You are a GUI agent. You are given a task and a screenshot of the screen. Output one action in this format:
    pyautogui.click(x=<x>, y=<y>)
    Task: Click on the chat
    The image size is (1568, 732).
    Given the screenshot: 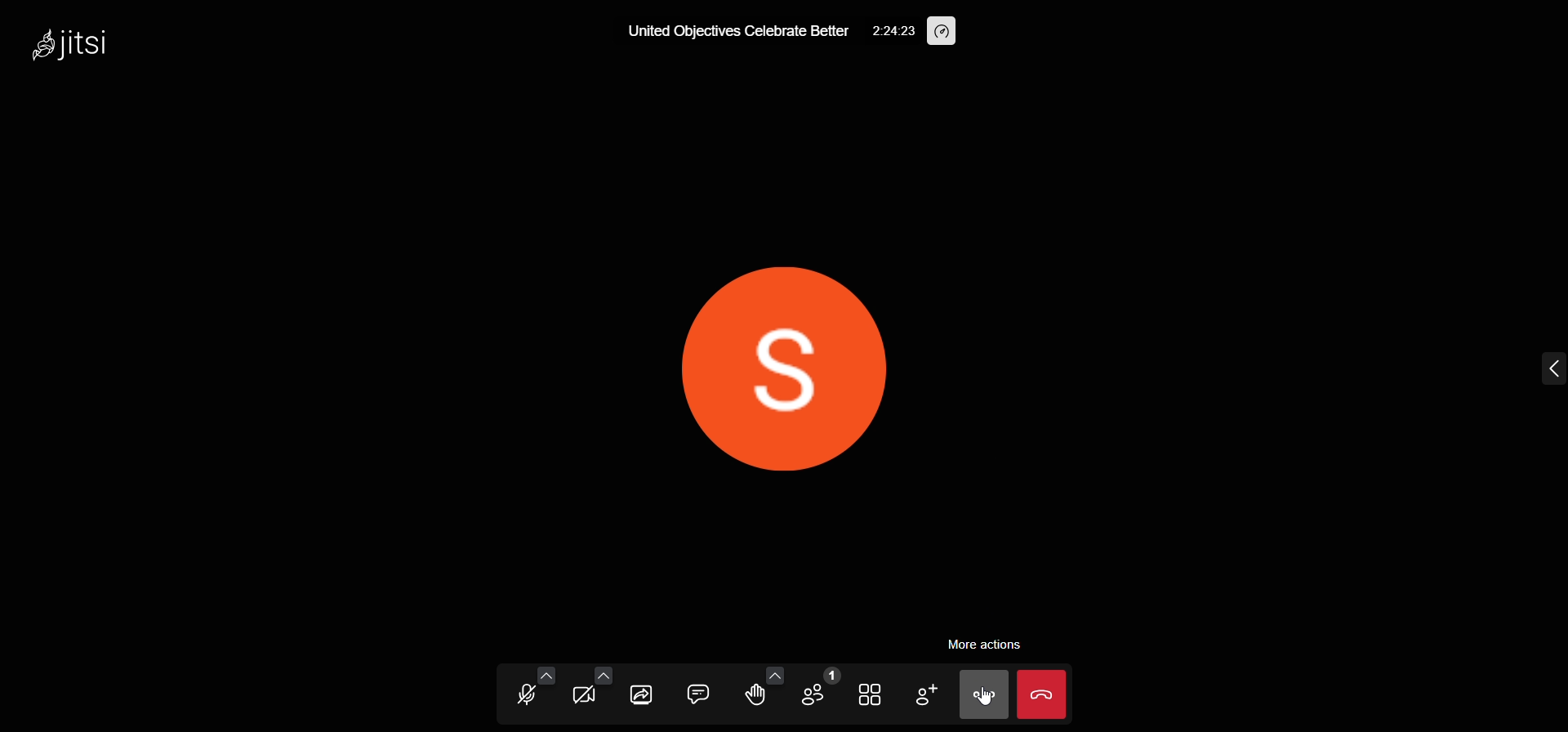 What is the action you would take?
    pyautogui.click(x=697, y=692)
    